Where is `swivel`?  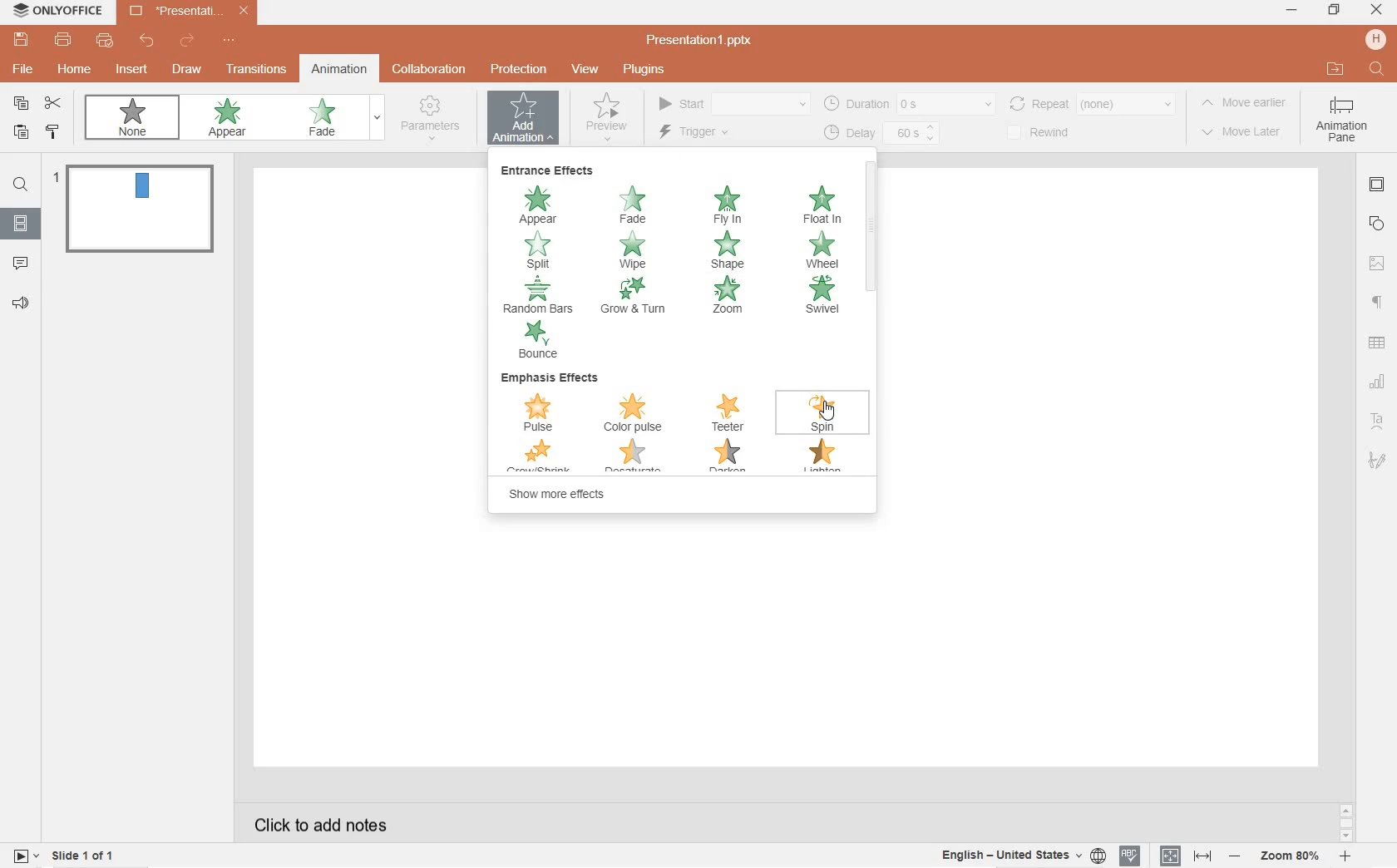
swivel is located at coordinates (820, 297).